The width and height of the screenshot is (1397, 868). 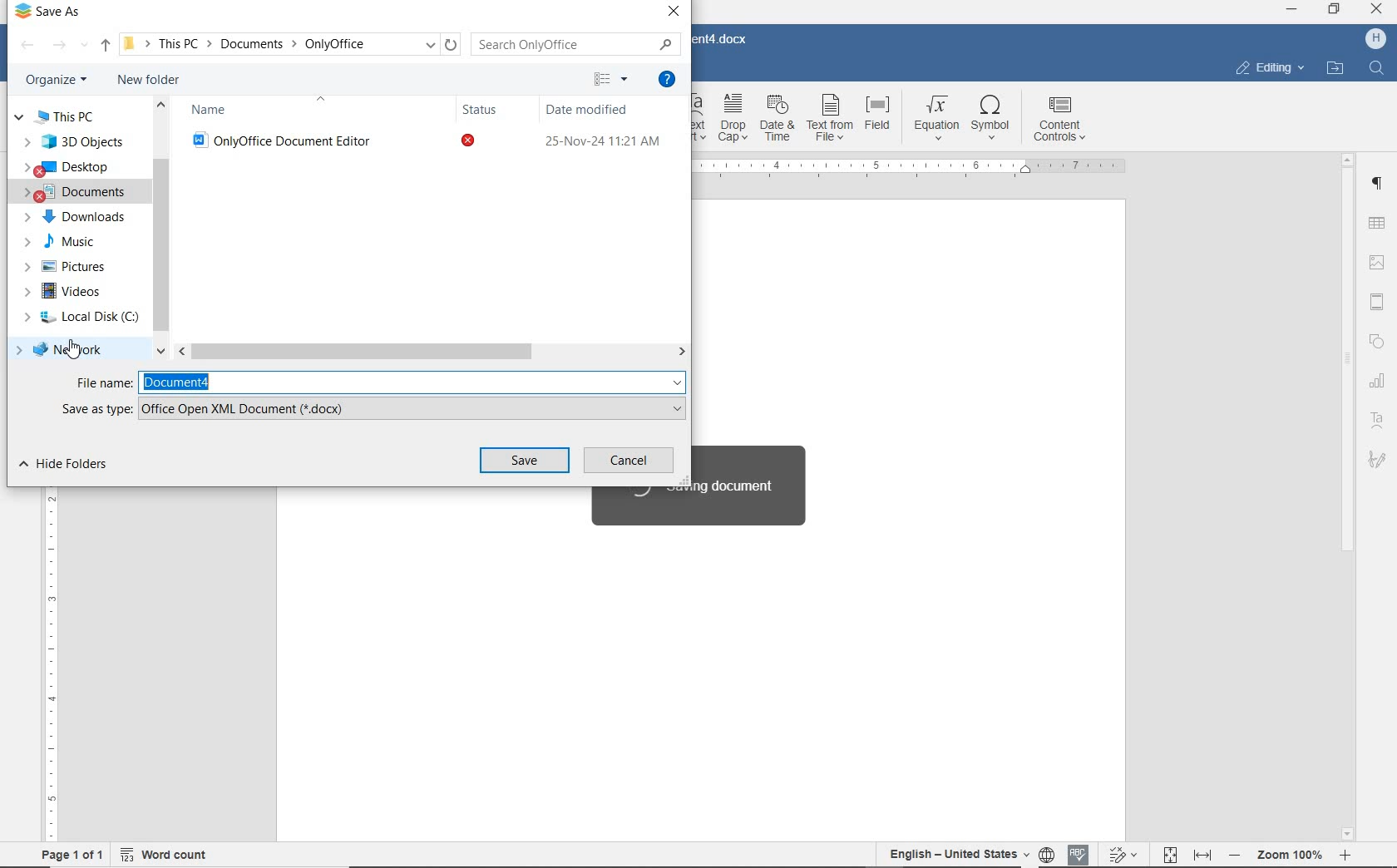 What do you see at coordinates (1082, 854) in the screenshot?
I see `Spell checking` at bounding box center [1082, 854].